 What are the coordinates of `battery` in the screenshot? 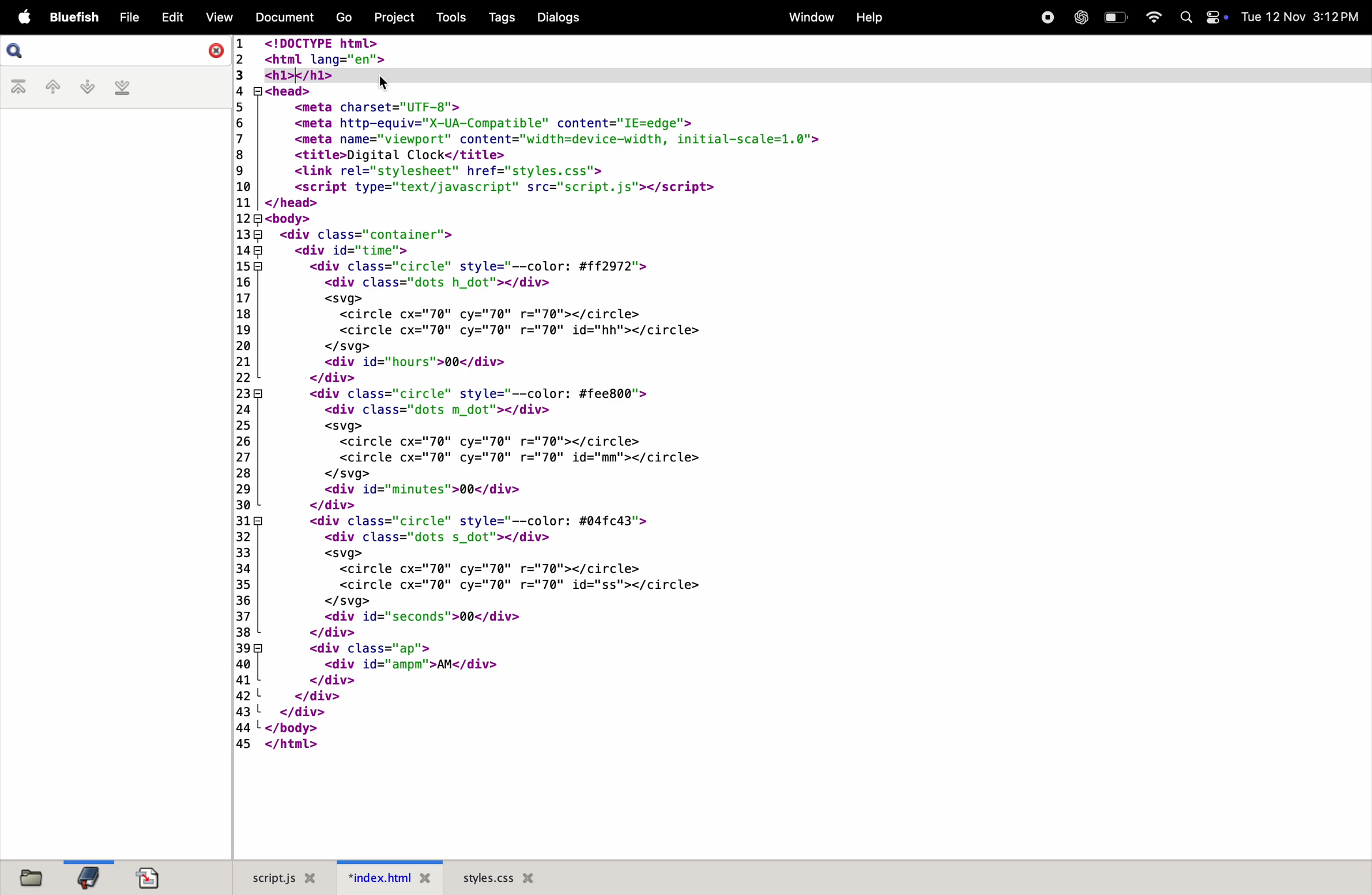 It's located at (1115, 17).